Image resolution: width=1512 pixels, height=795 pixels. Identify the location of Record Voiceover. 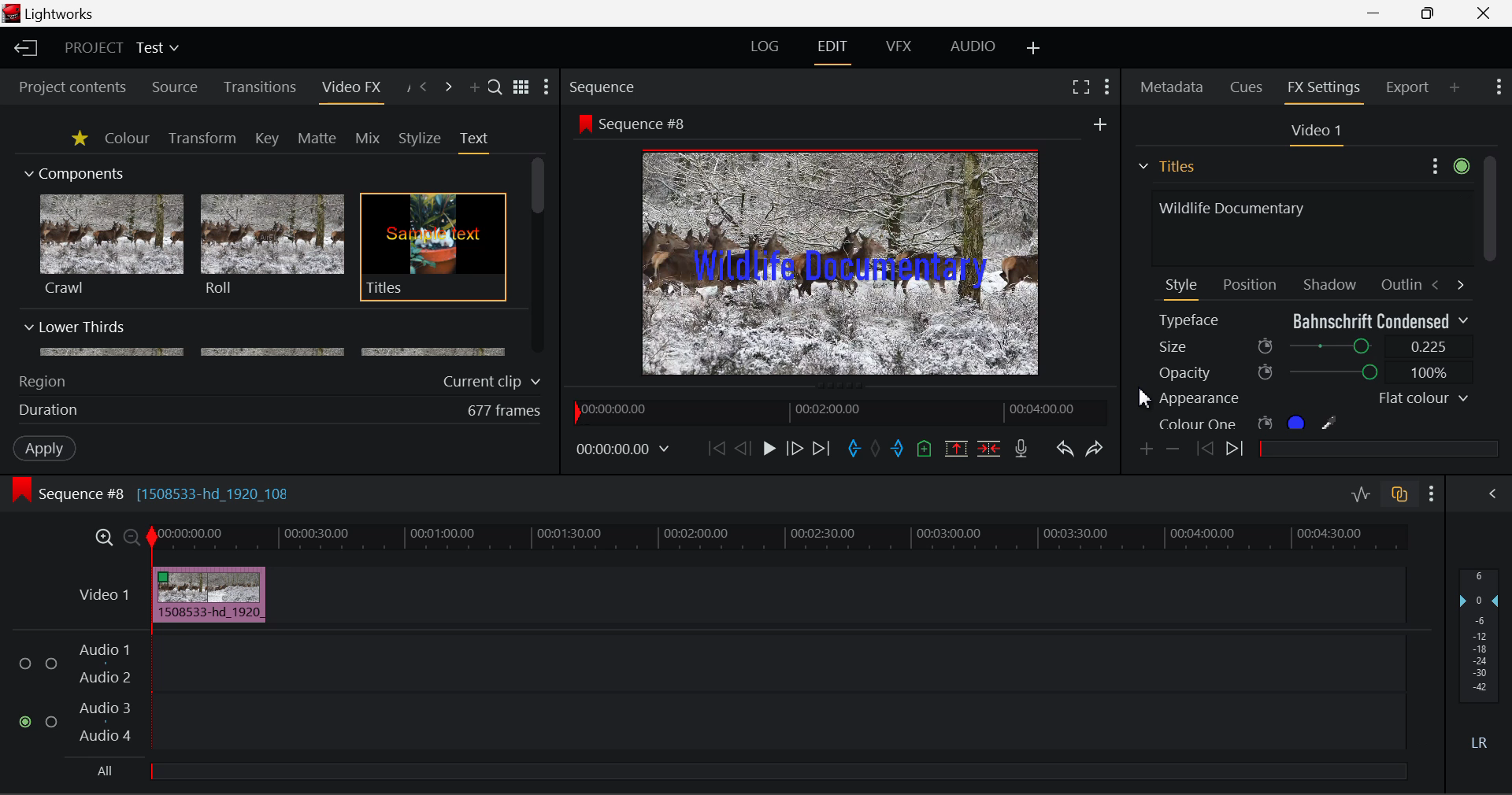
(1021, 452).